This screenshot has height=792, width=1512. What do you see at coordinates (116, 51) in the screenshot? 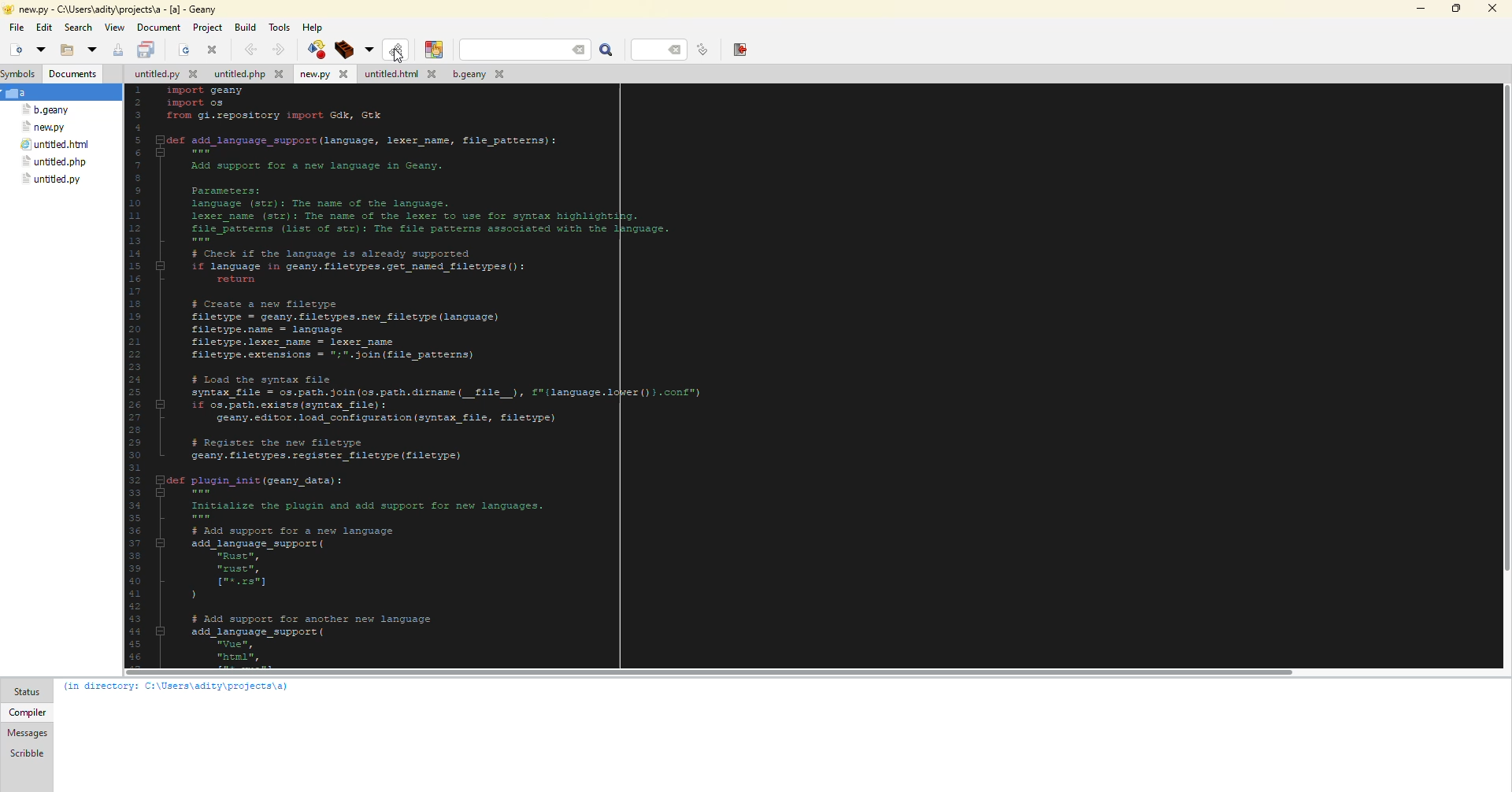
I see `save` at bounding box center [116, 51].